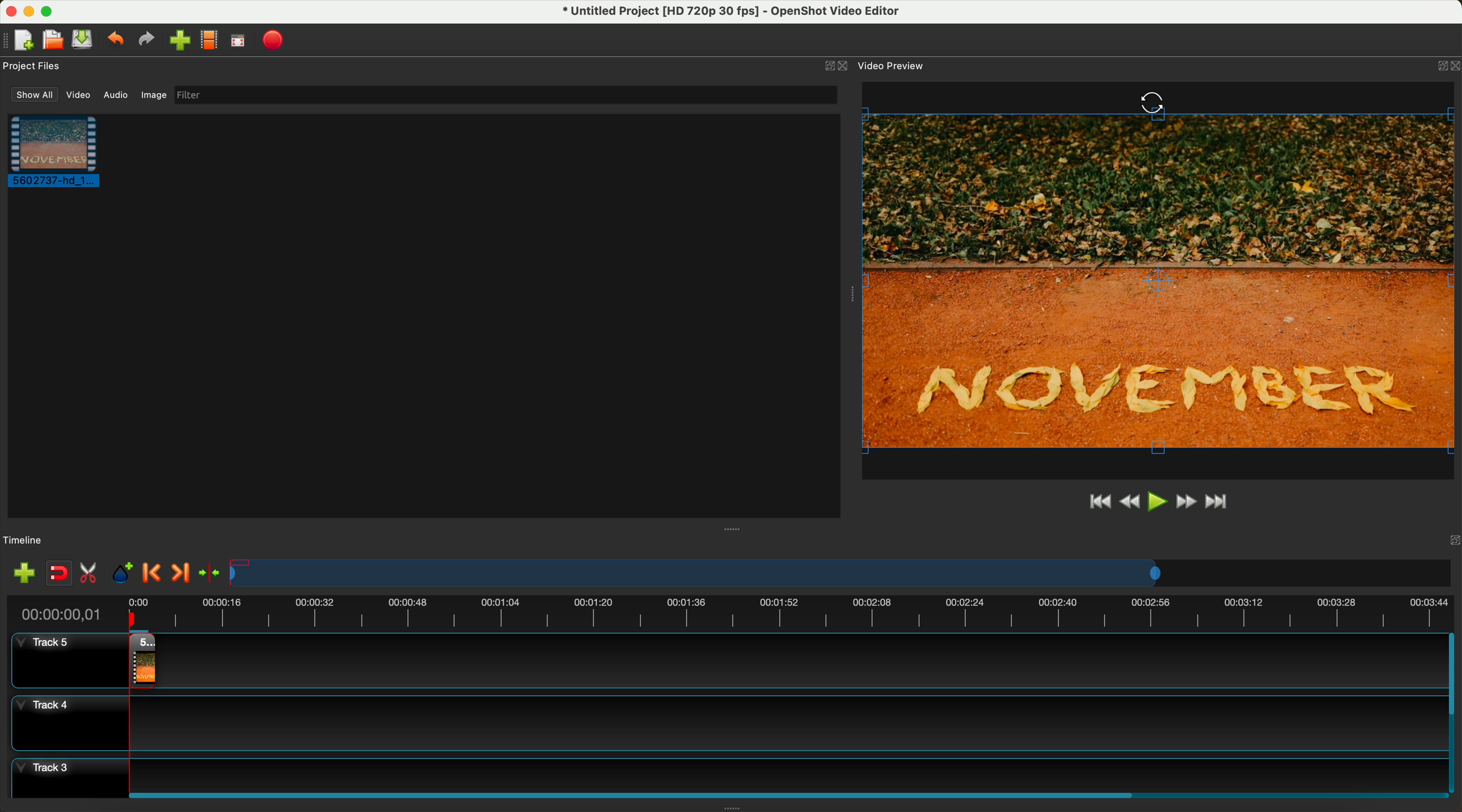 Image resolution: width=1462 pixels, height=812 pixels. Describe the element at coordinates (179, 40) in the screenshot. I see `import files` at that location.